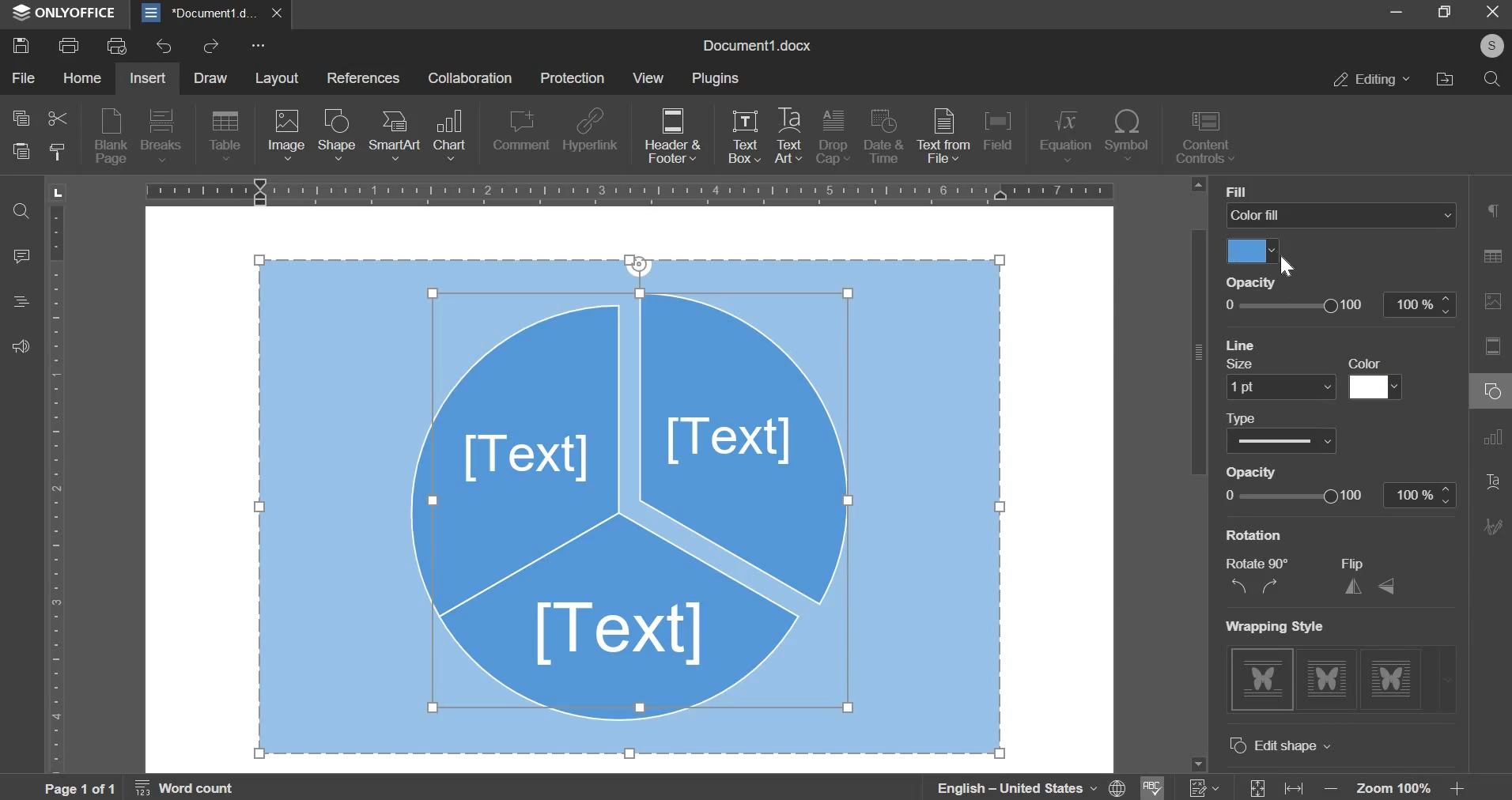  I want to click on copy, so click(21, 121).